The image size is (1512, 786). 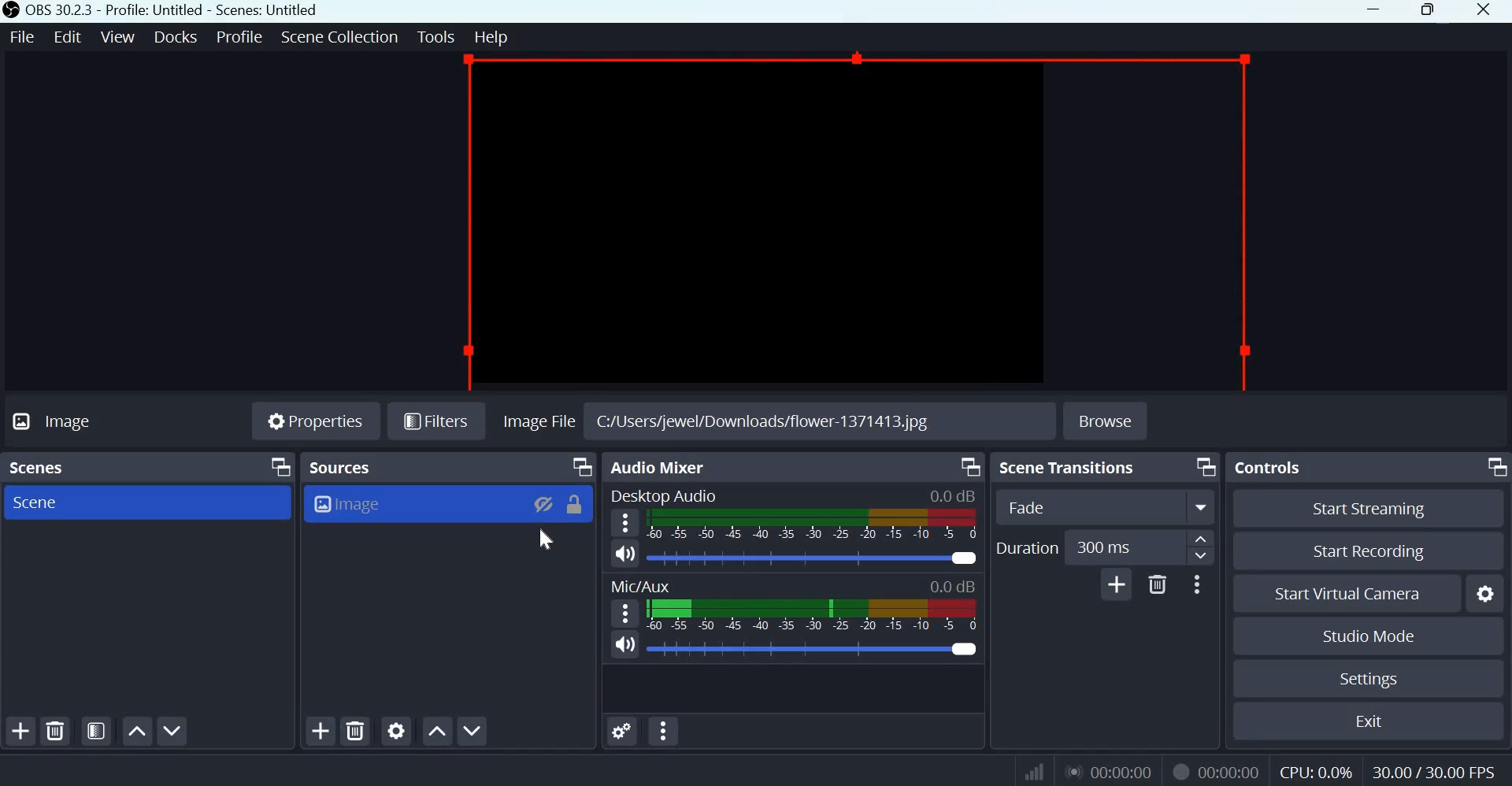 What do you see at coordinates (353, 503) in the screenshot?
I see `Image` at bounding box center [353, 503].